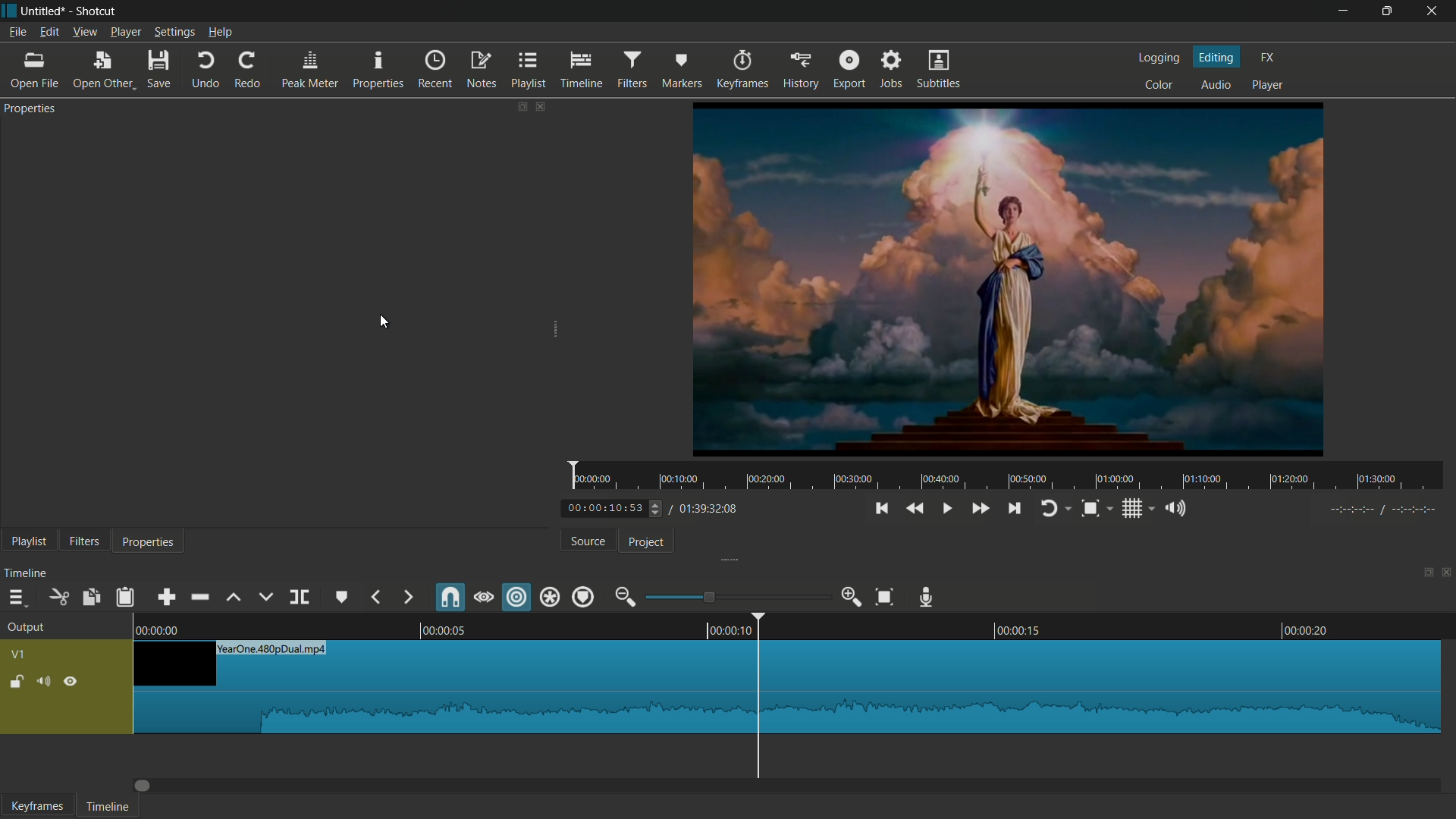  Describe the element at coordinates (16, 595) in the screenshot. I see `timeline menu` at that location.